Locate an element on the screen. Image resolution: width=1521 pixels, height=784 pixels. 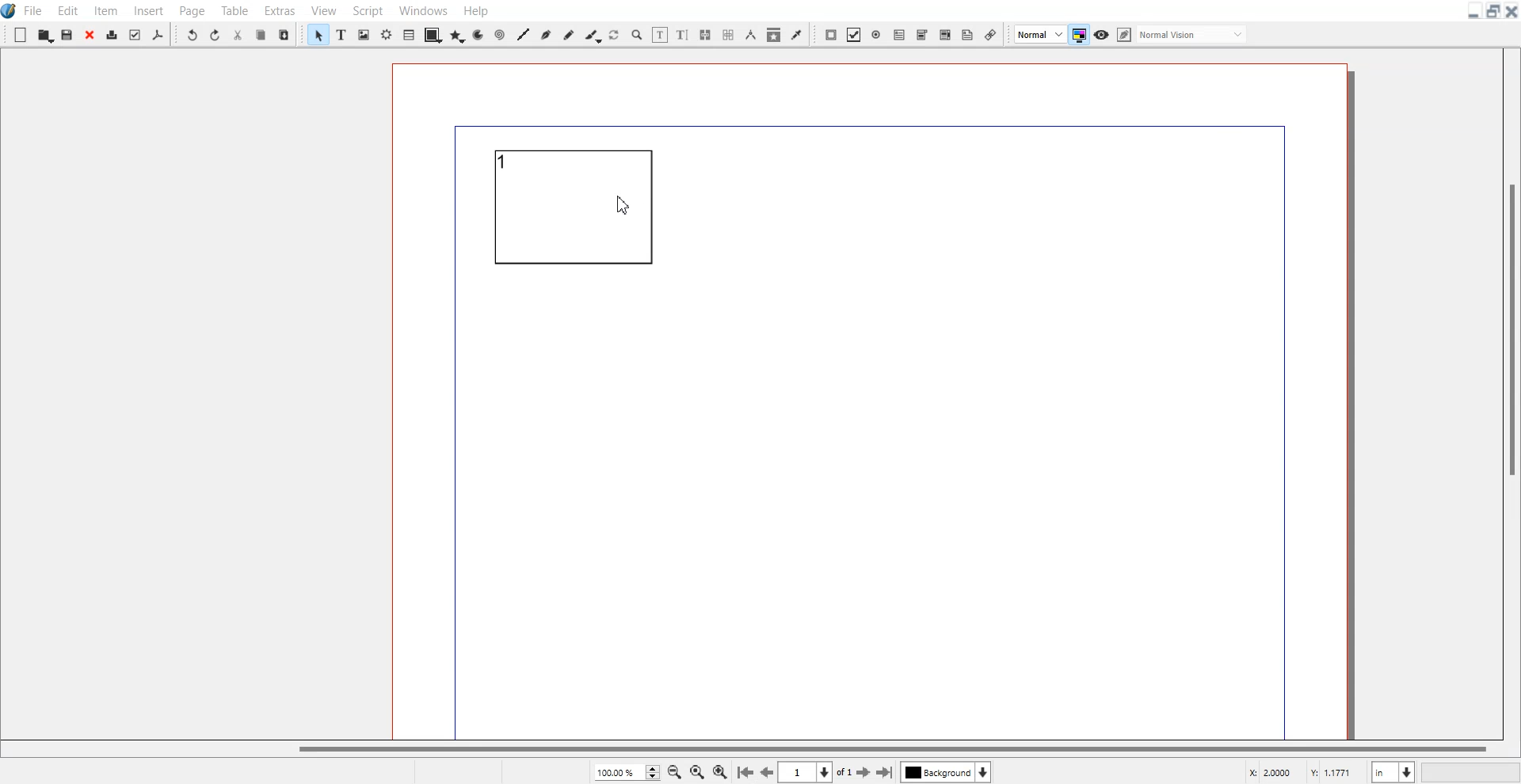
Close is located at coordinates (1511, 11).